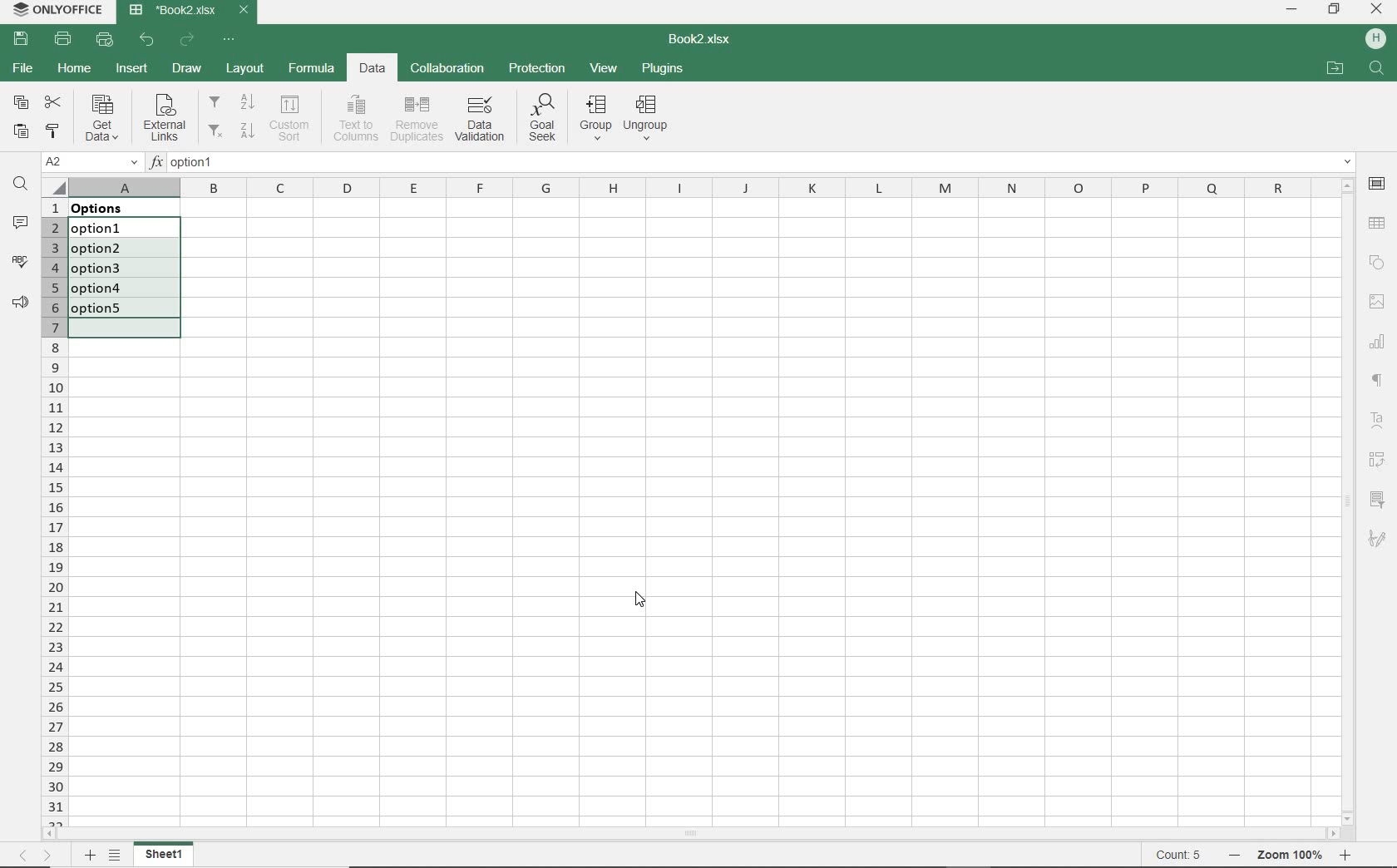 This screenshot has height=868, width=1397. Describe the element at coordinates (233, 102) in the screenshot. I see `filter from A to Z` at that location.